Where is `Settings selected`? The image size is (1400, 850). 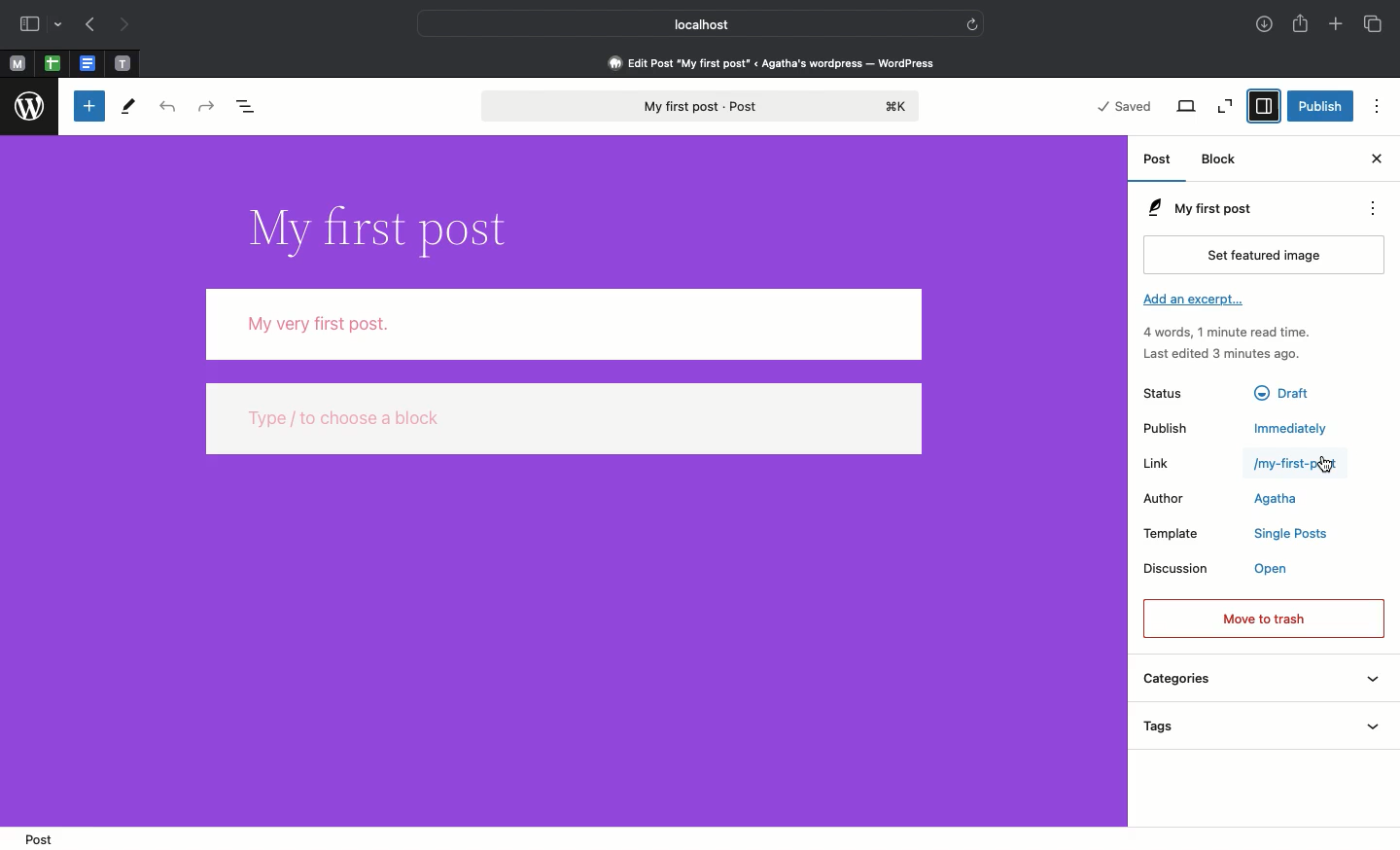 Settings selected is located at coordinates (1262, 106).